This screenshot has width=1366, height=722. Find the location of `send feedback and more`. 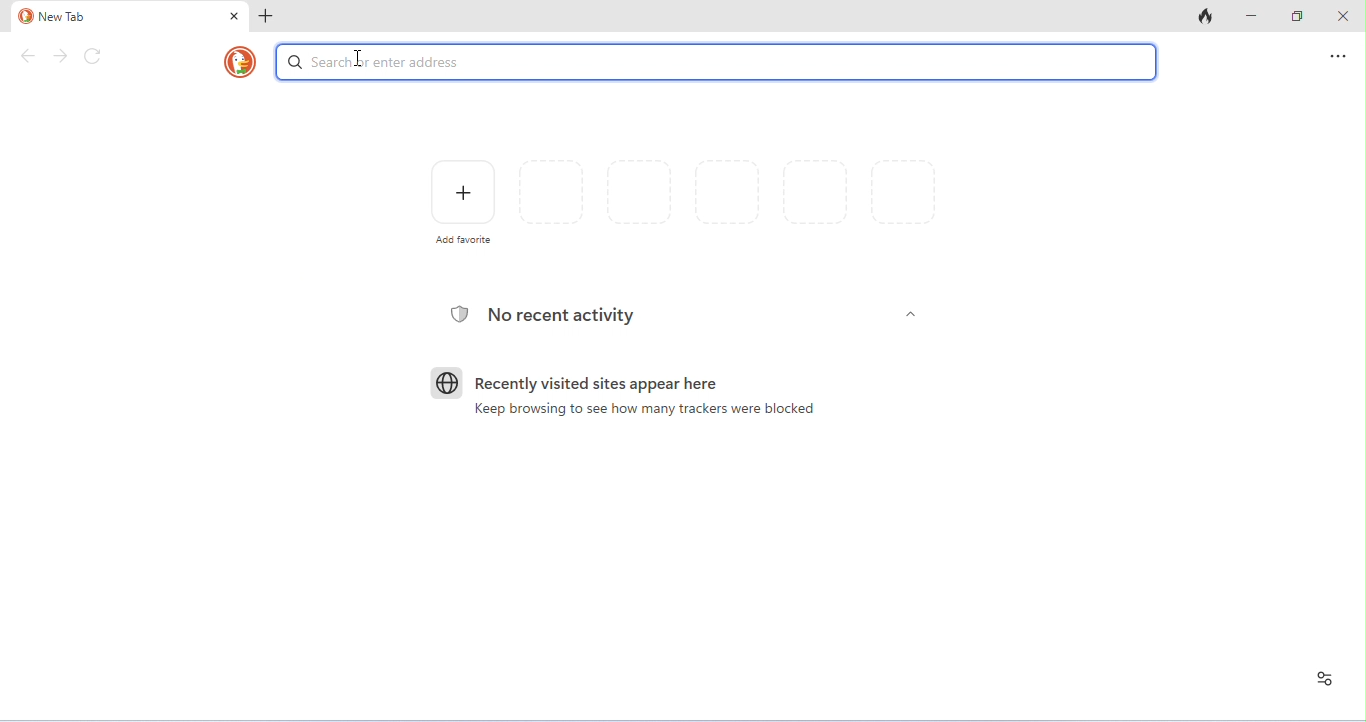

send feedback and more is located at coordinates (1336, 56).